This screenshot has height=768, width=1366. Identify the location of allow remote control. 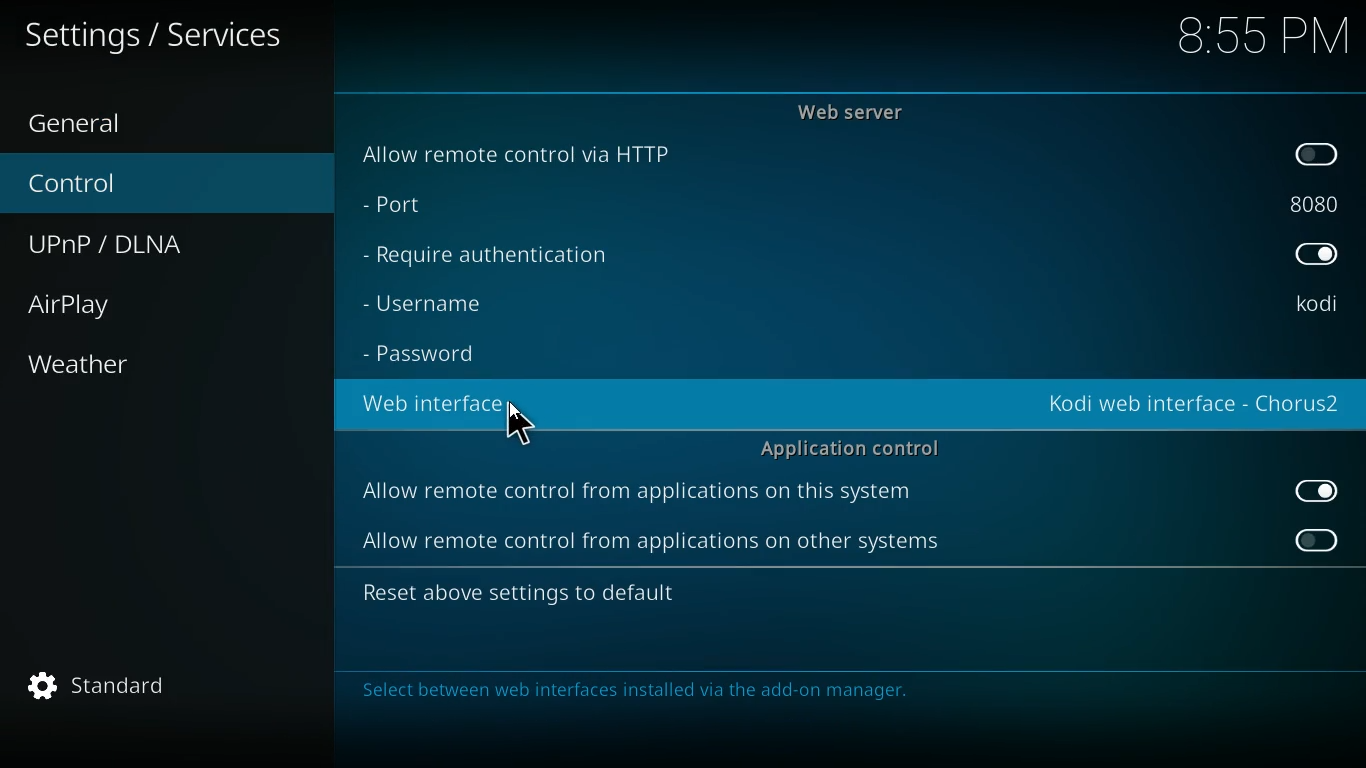
(648, 544).